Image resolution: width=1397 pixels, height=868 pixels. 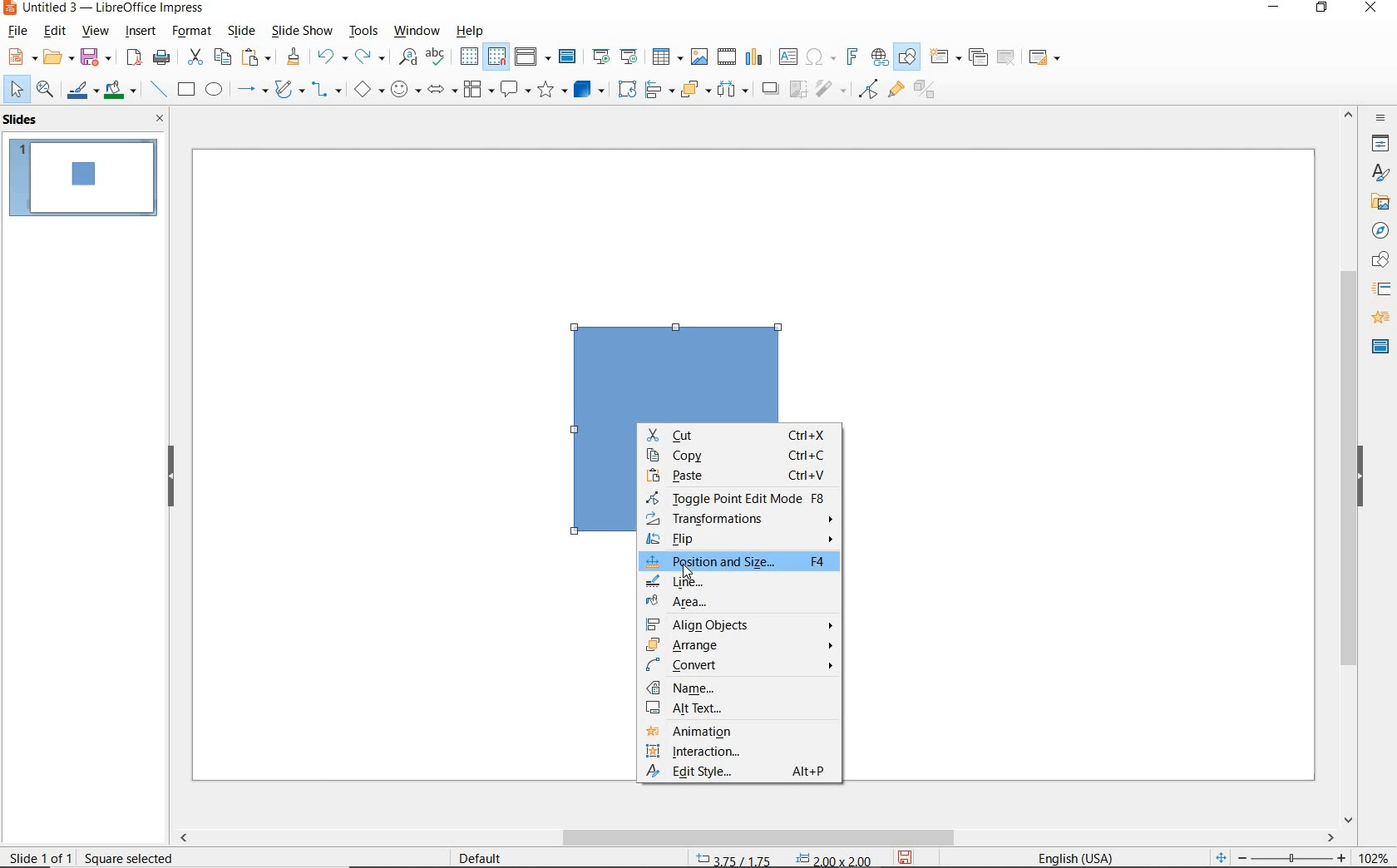 I want to click on close, so click(x=160, y=118).